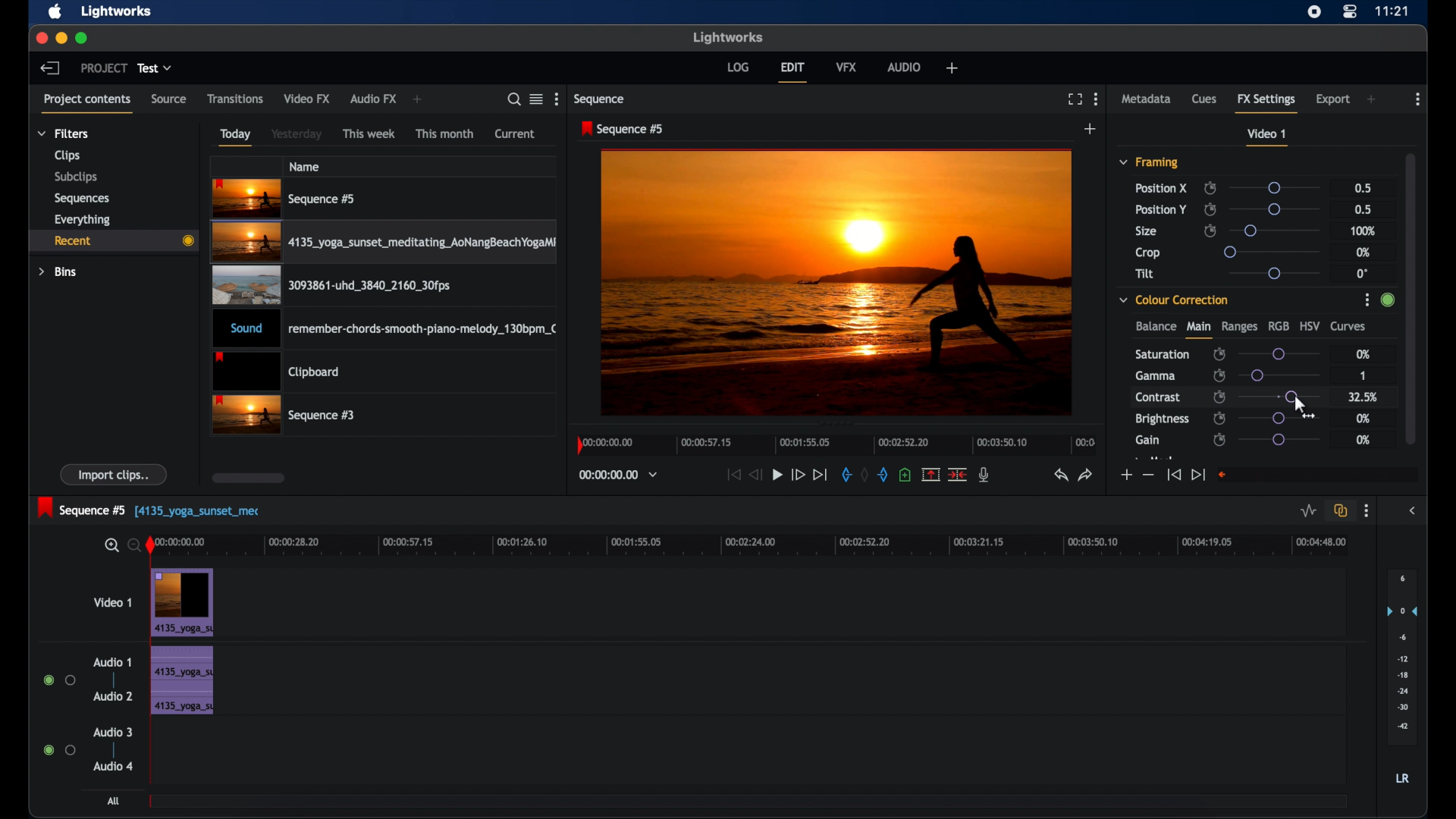 The height and width of the screenshot is (819, 1456). What do you see at coordinates (86, 102) in the screenshot?
I see `project contents` at bounding box center [86, 102].